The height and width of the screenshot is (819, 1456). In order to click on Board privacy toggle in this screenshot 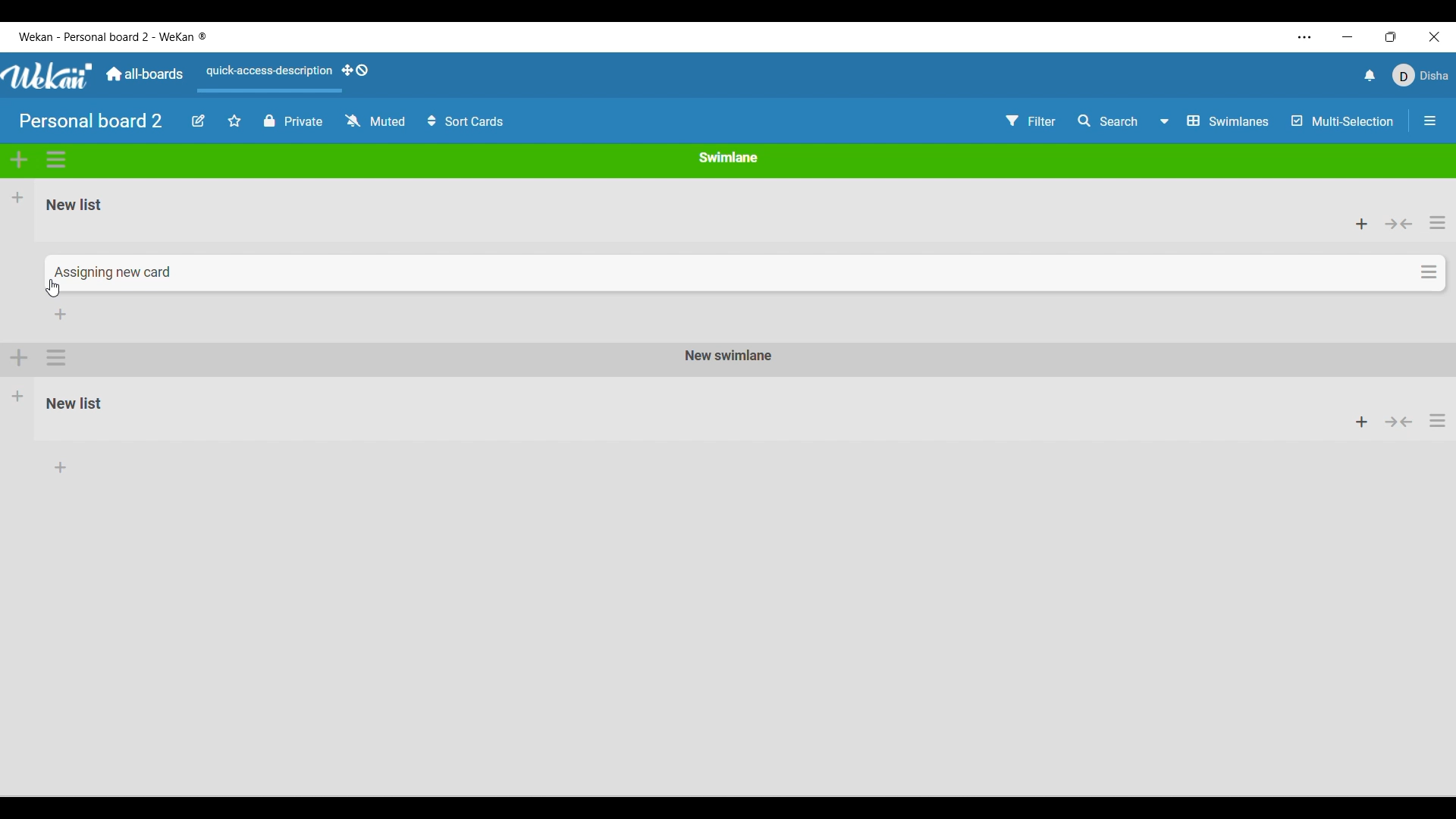, I will do `click(294, 121)`.